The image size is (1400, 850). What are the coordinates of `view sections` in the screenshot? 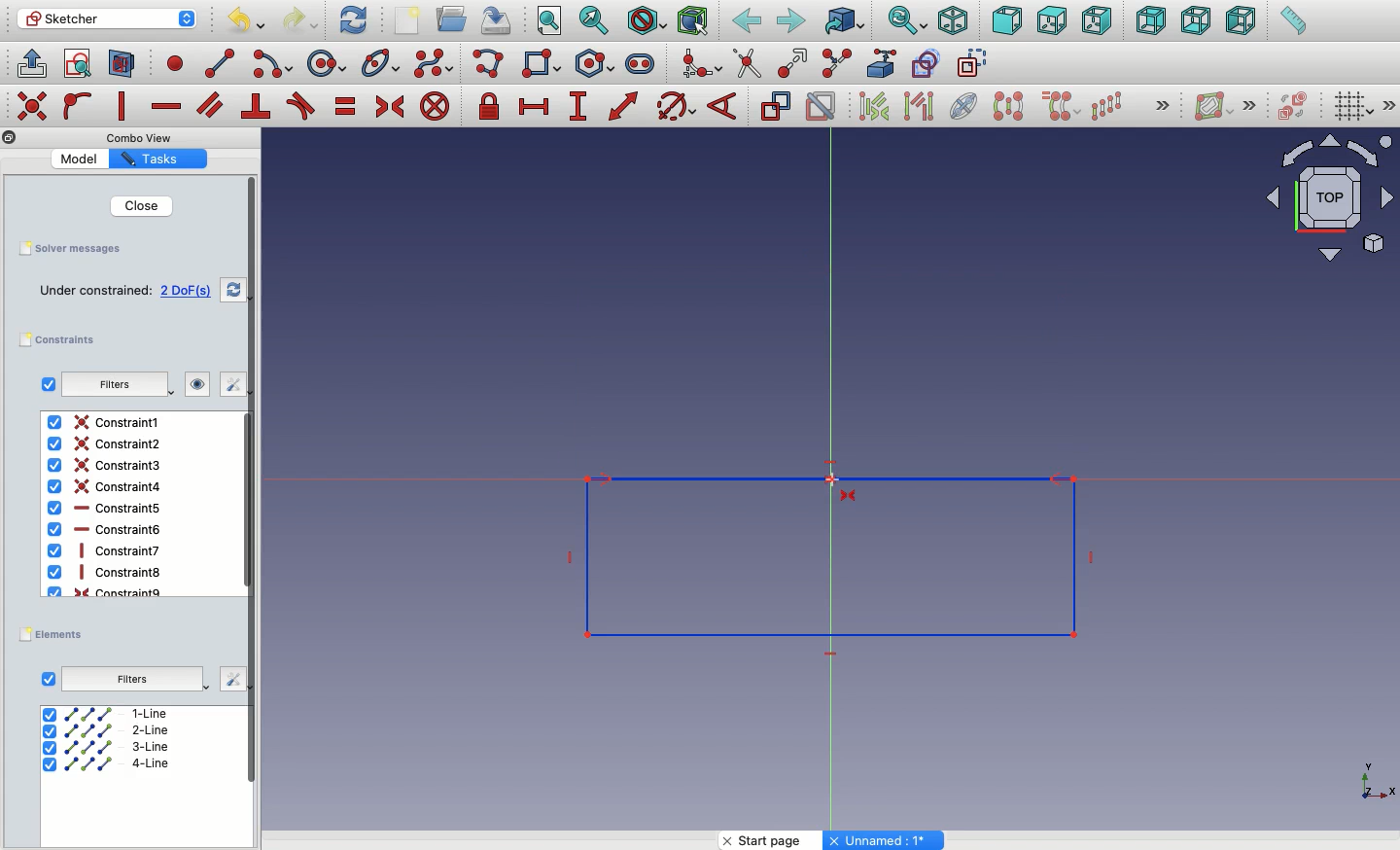 It's located at (126, 65).